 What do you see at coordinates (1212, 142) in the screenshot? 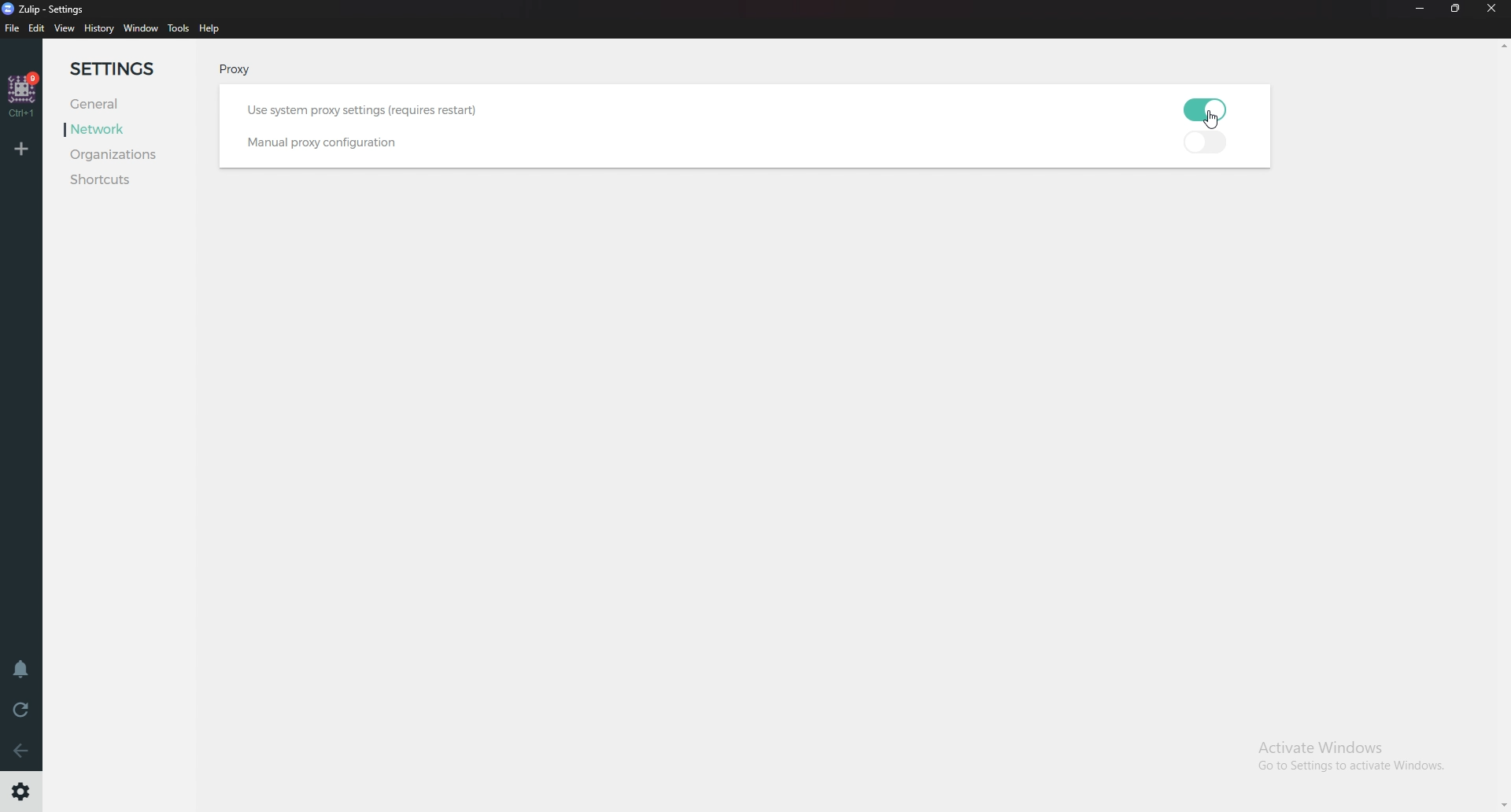
I see `toggle` at bounding box center [1212, 142].